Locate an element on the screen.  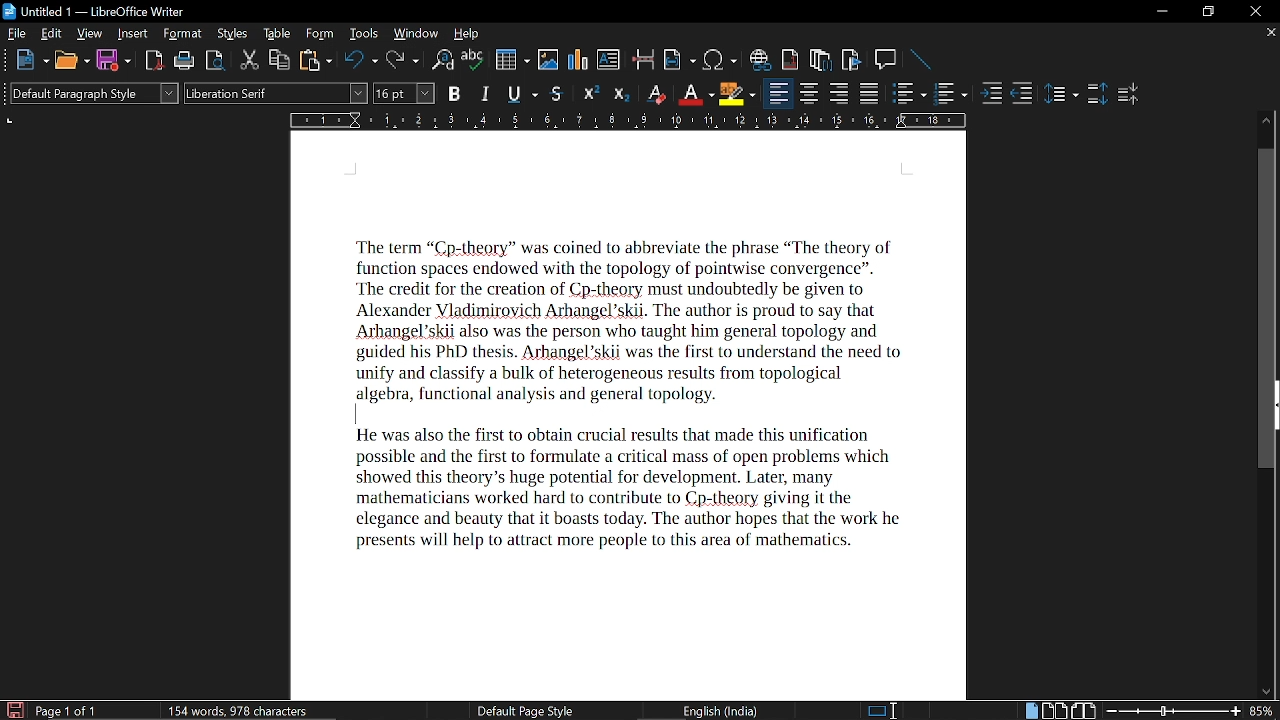
Decrease paragraph spacing is located at coordinates (1128, 96).